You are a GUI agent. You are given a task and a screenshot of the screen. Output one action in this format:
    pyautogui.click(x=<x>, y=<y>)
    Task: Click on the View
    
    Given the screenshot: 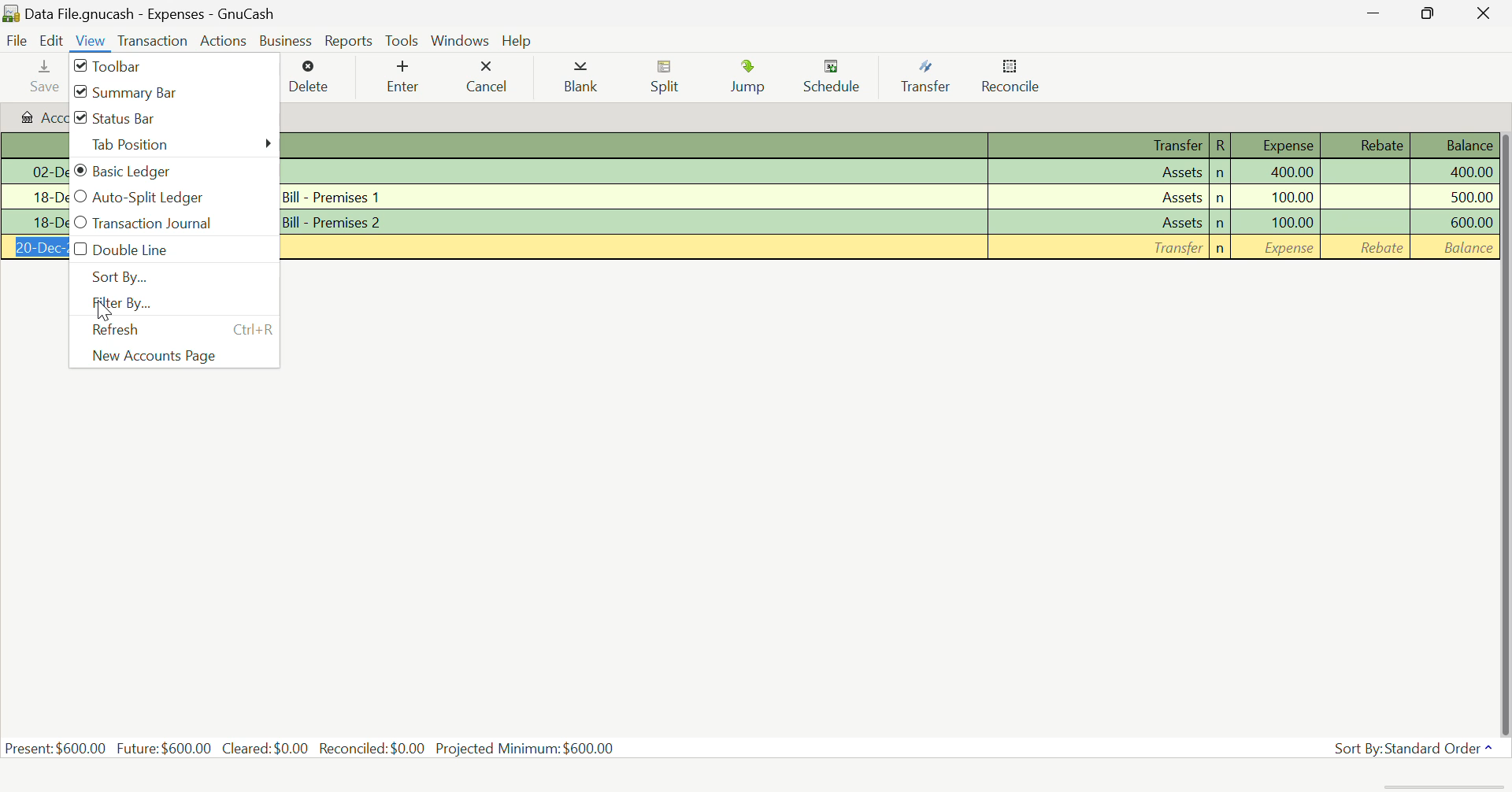 What is the action you would take?
    pyautogui.click(x=91, y=42)
    